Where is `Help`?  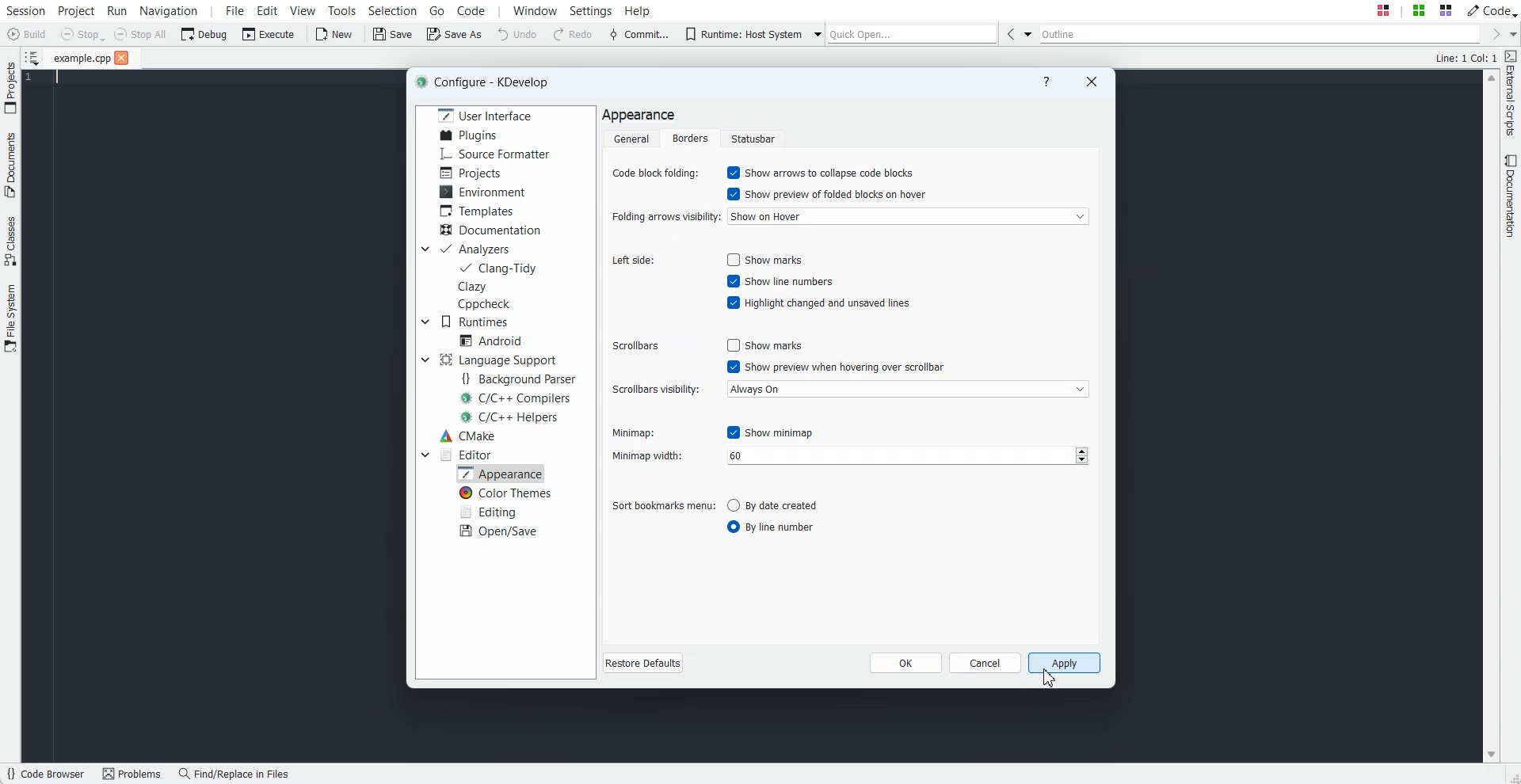
Help is located at coordinates (638, 10).